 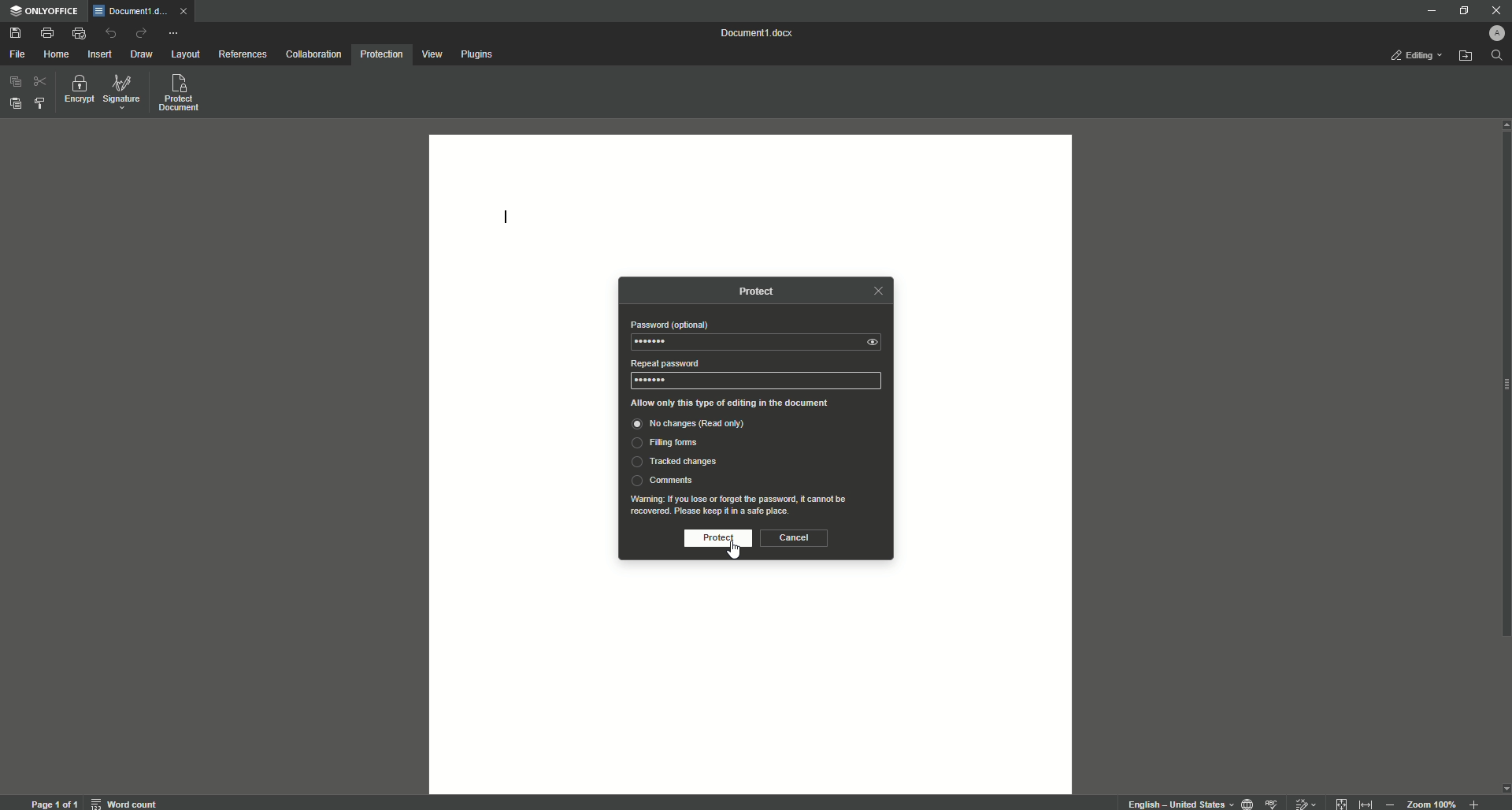 I want to click on Zoom in, so click(x=1472, y=803).